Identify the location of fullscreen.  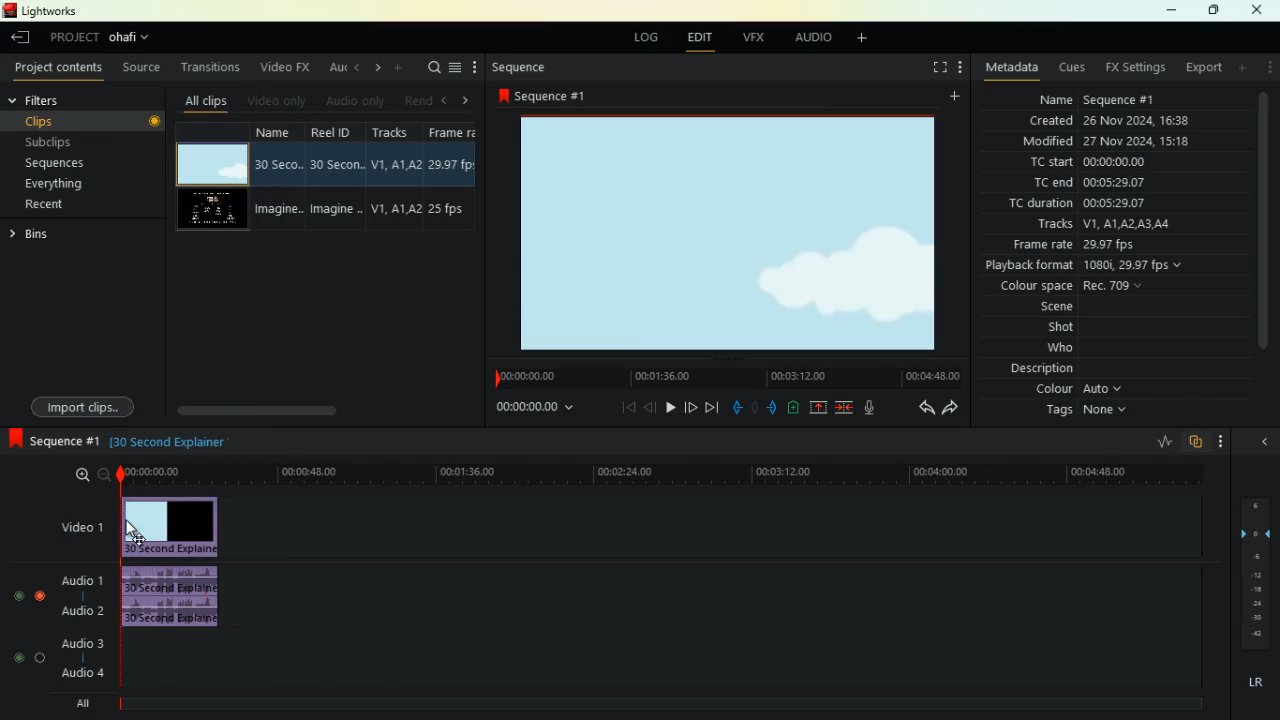
(930, 67).